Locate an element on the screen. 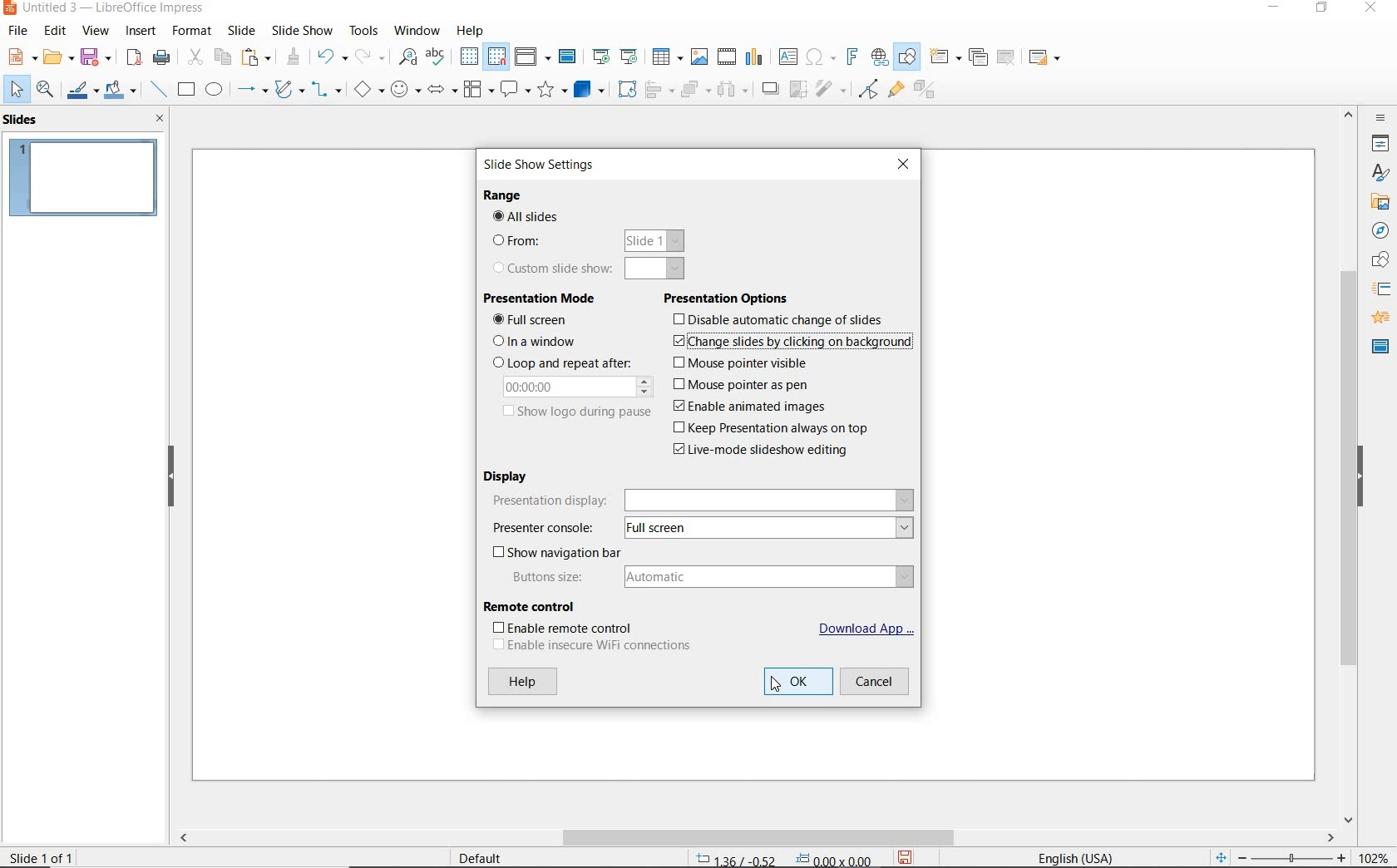  INSERT SPECIAL CHARACTERS is located at coordinates (819, 57).